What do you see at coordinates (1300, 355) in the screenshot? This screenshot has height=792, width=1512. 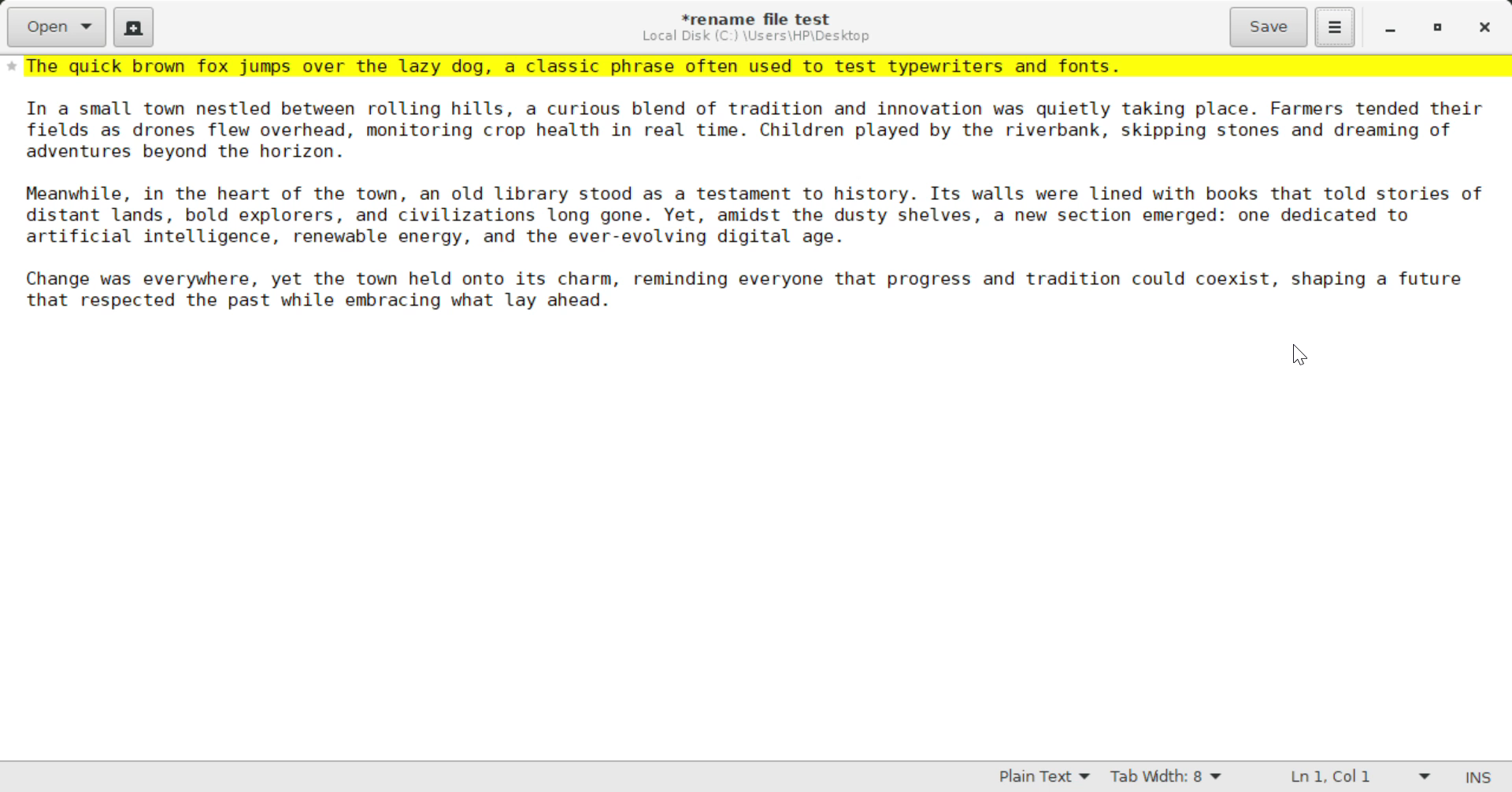 I see `Cursor Position AFTER_LAST_ACTION` at bounding box center [1300, 355].